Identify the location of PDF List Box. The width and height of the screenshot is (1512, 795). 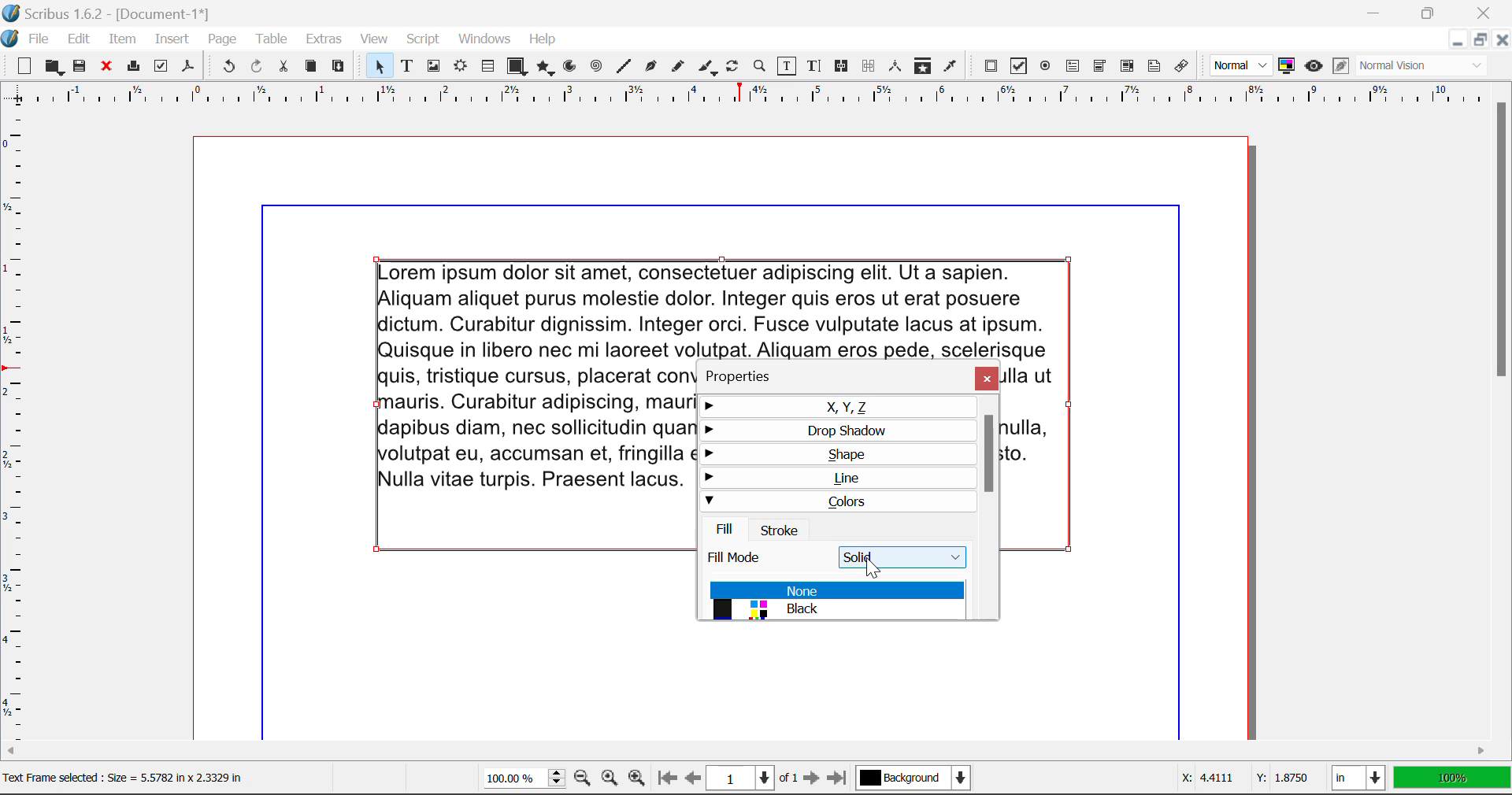
(1128, 66).